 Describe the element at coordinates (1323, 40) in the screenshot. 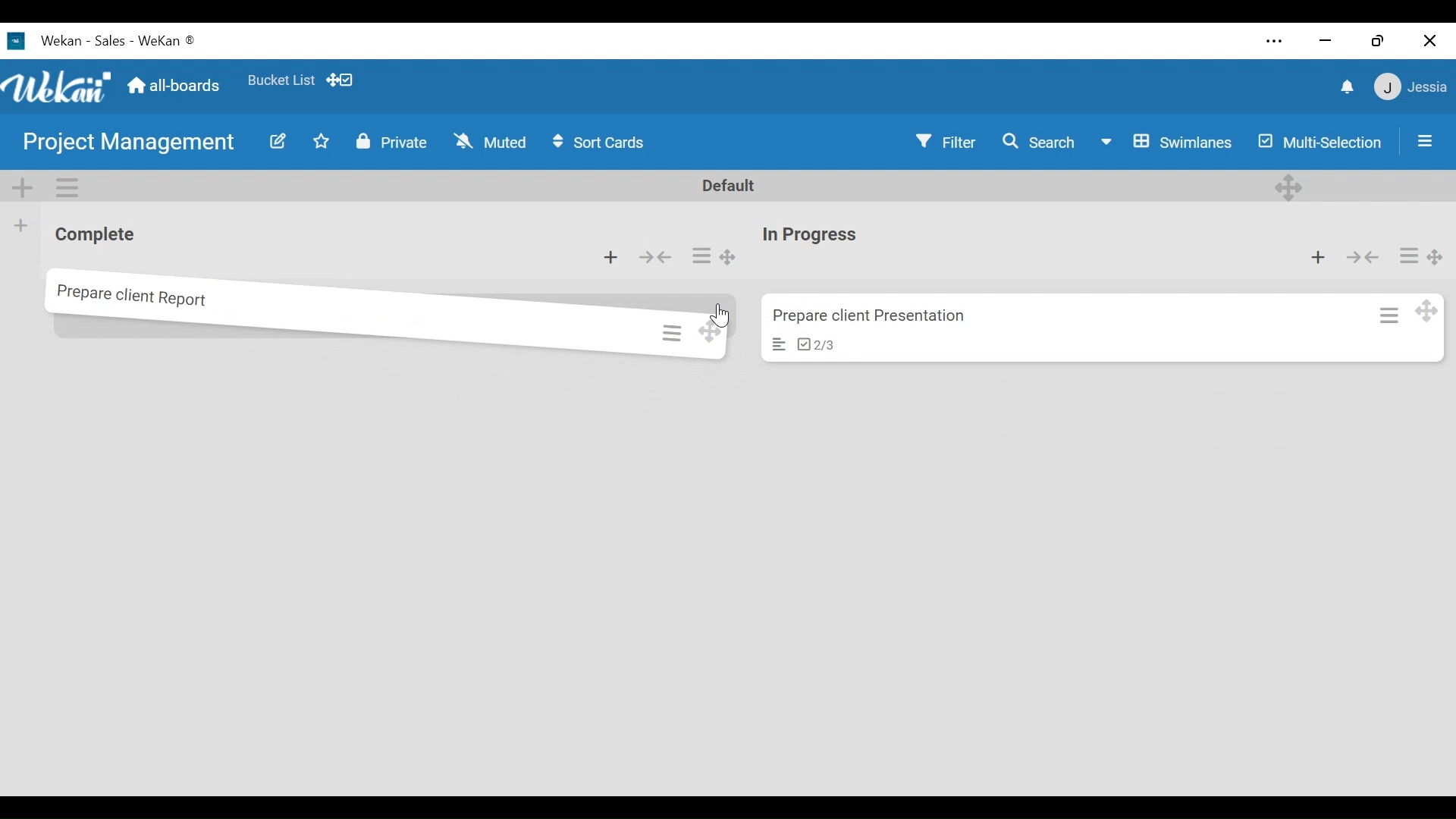

I see `minimize` at that location.